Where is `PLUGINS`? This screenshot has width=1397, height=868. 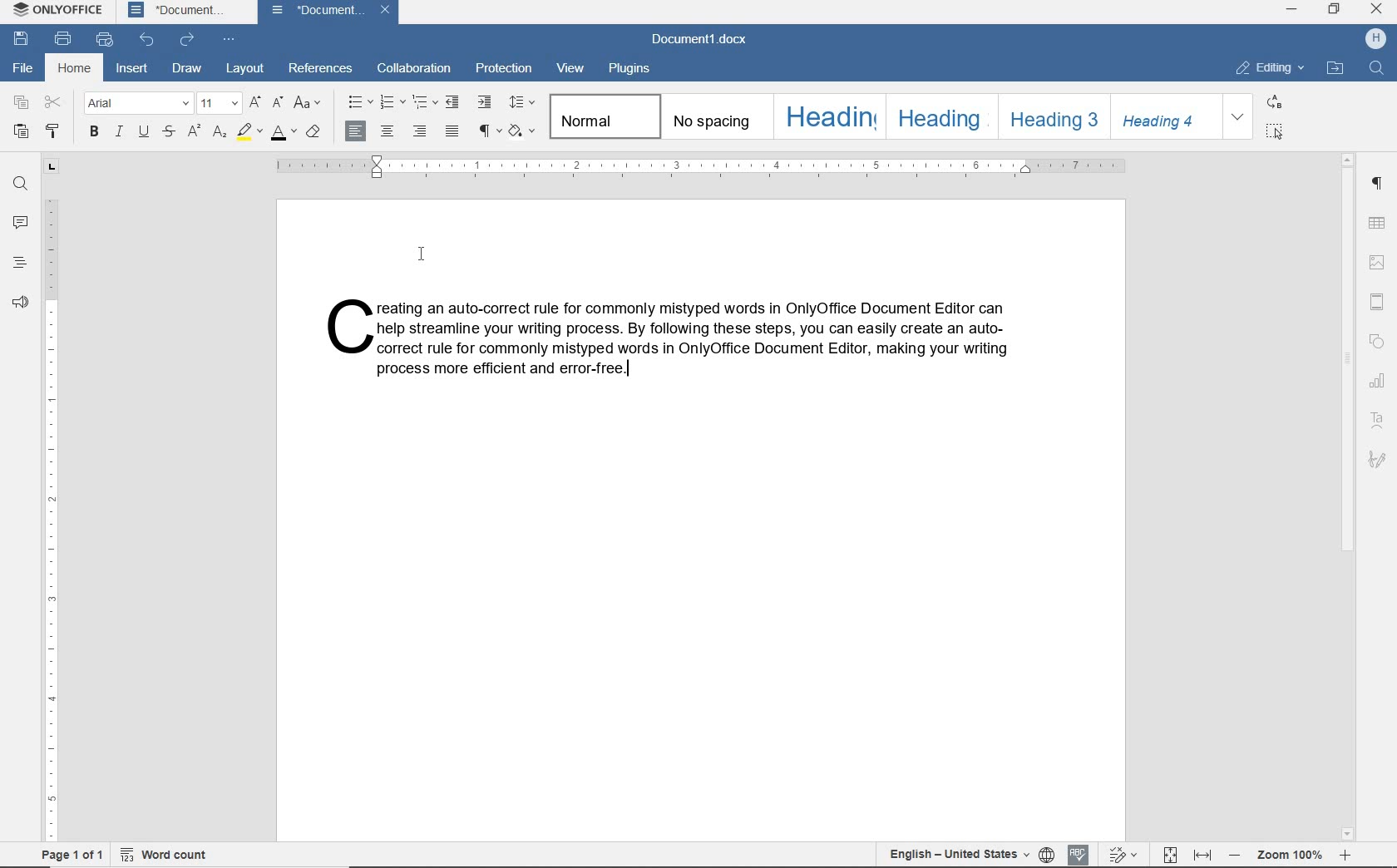 PLUGINS is located at coordinates (629, 69).